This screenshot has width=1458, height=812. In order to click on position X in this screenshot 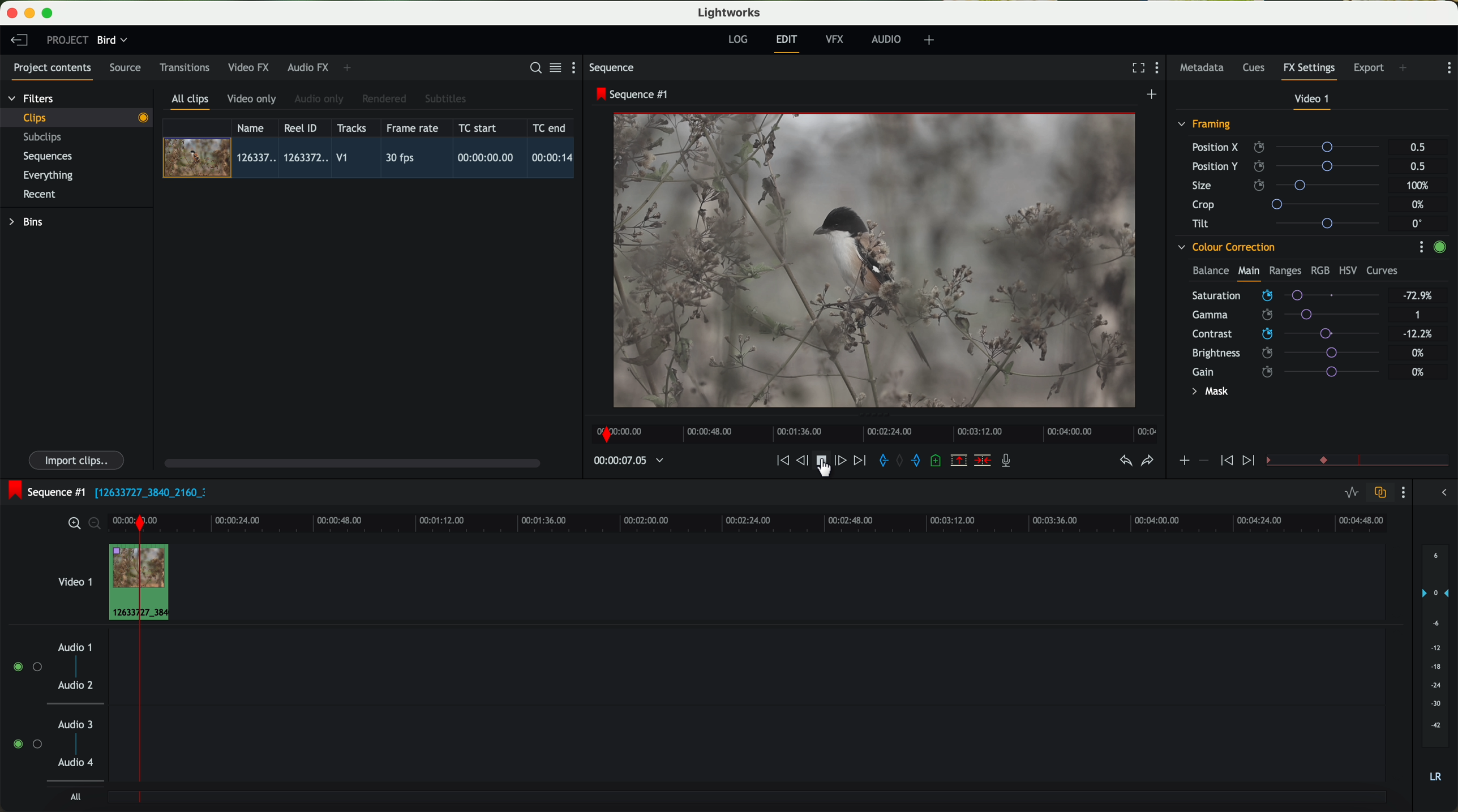, I will do `click(1290, 147)`.